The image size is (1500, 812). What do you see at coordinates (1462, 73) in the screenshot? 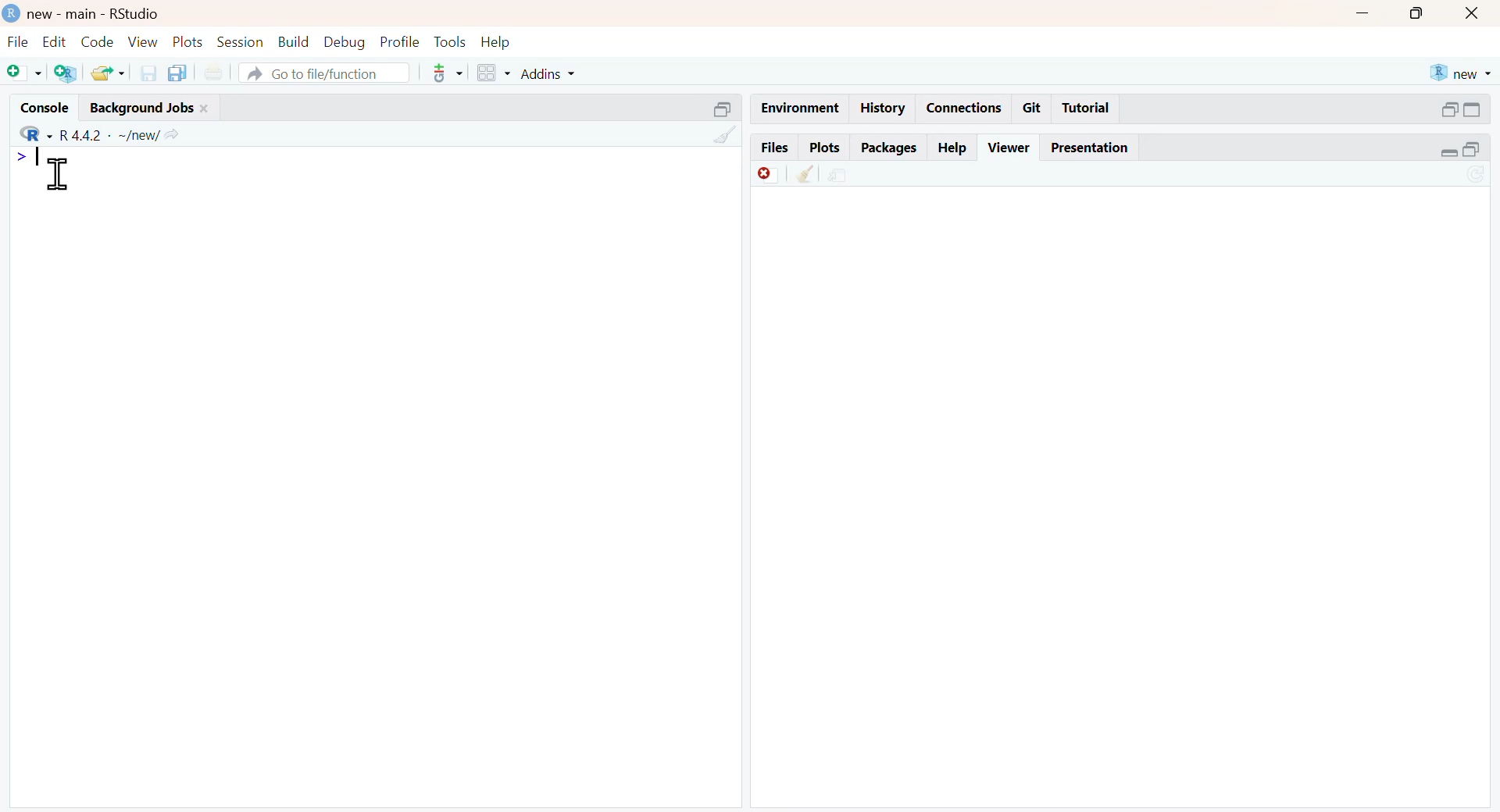
I see `new` at bounding box center [1462, 73].